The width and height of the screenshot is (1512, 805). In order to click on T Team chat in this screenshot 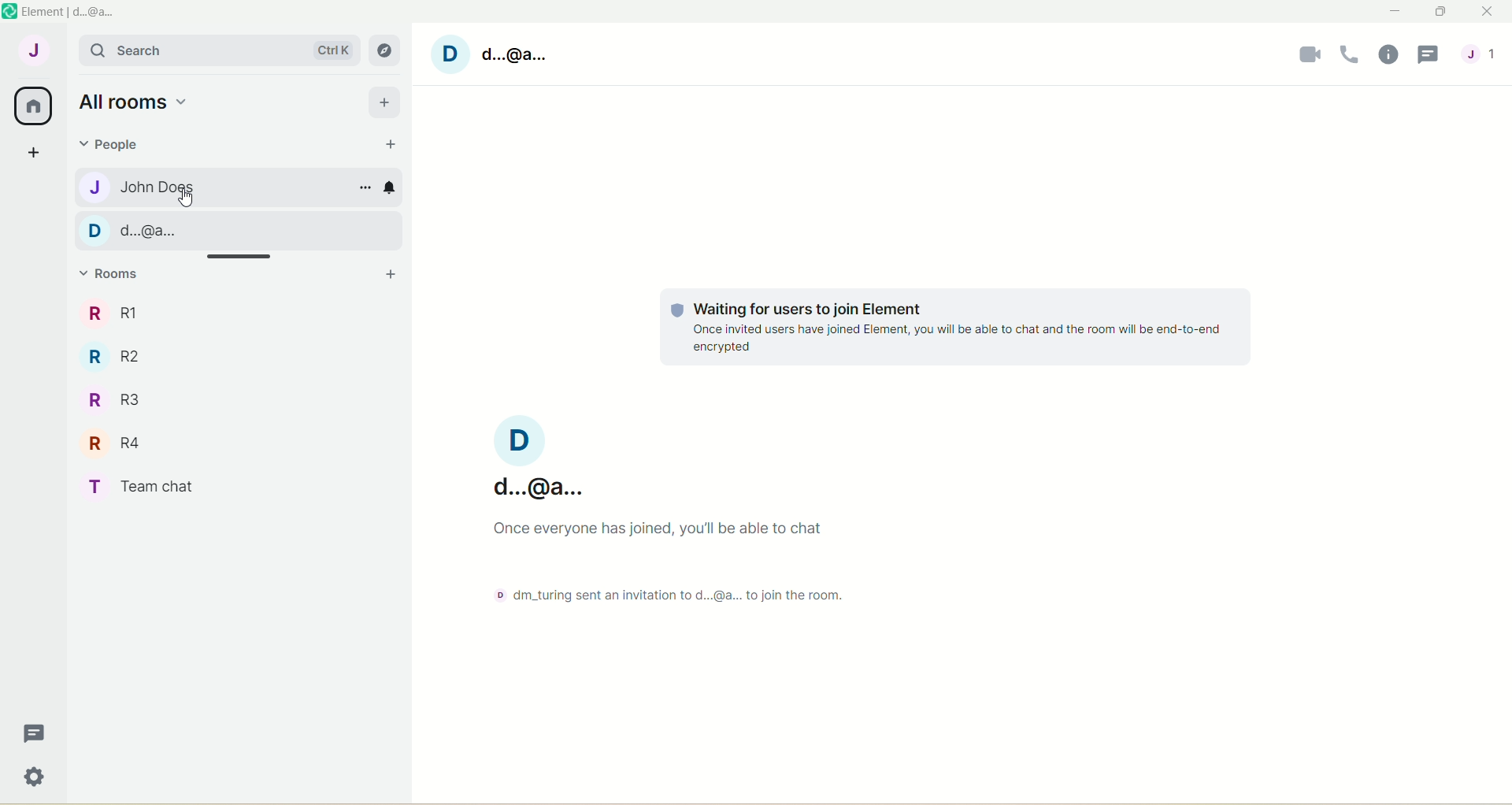, I will do `click(146, 487)`.